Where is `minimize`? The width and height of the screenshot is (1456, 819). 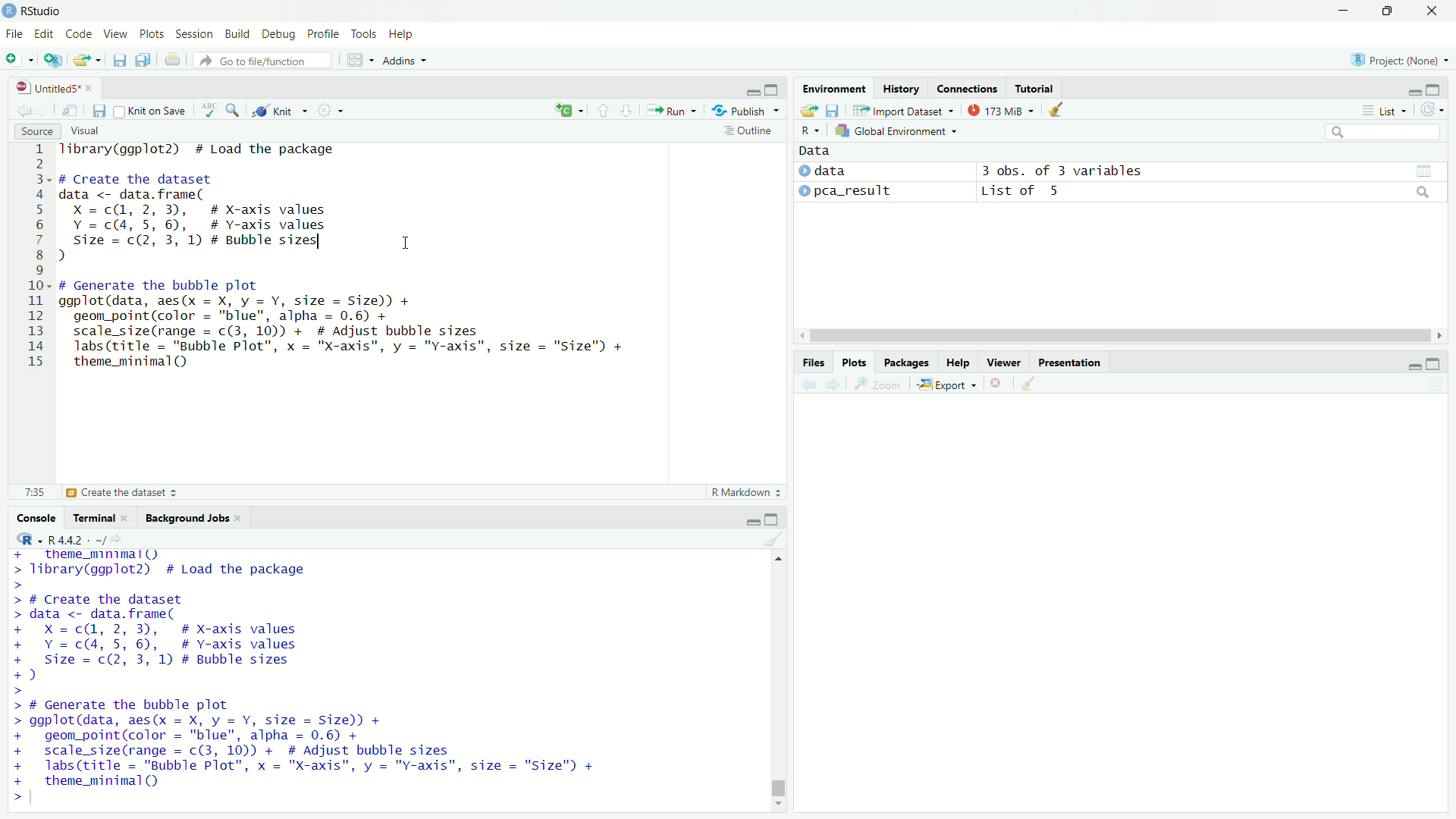 minimize is located at coordinates (752, 519).